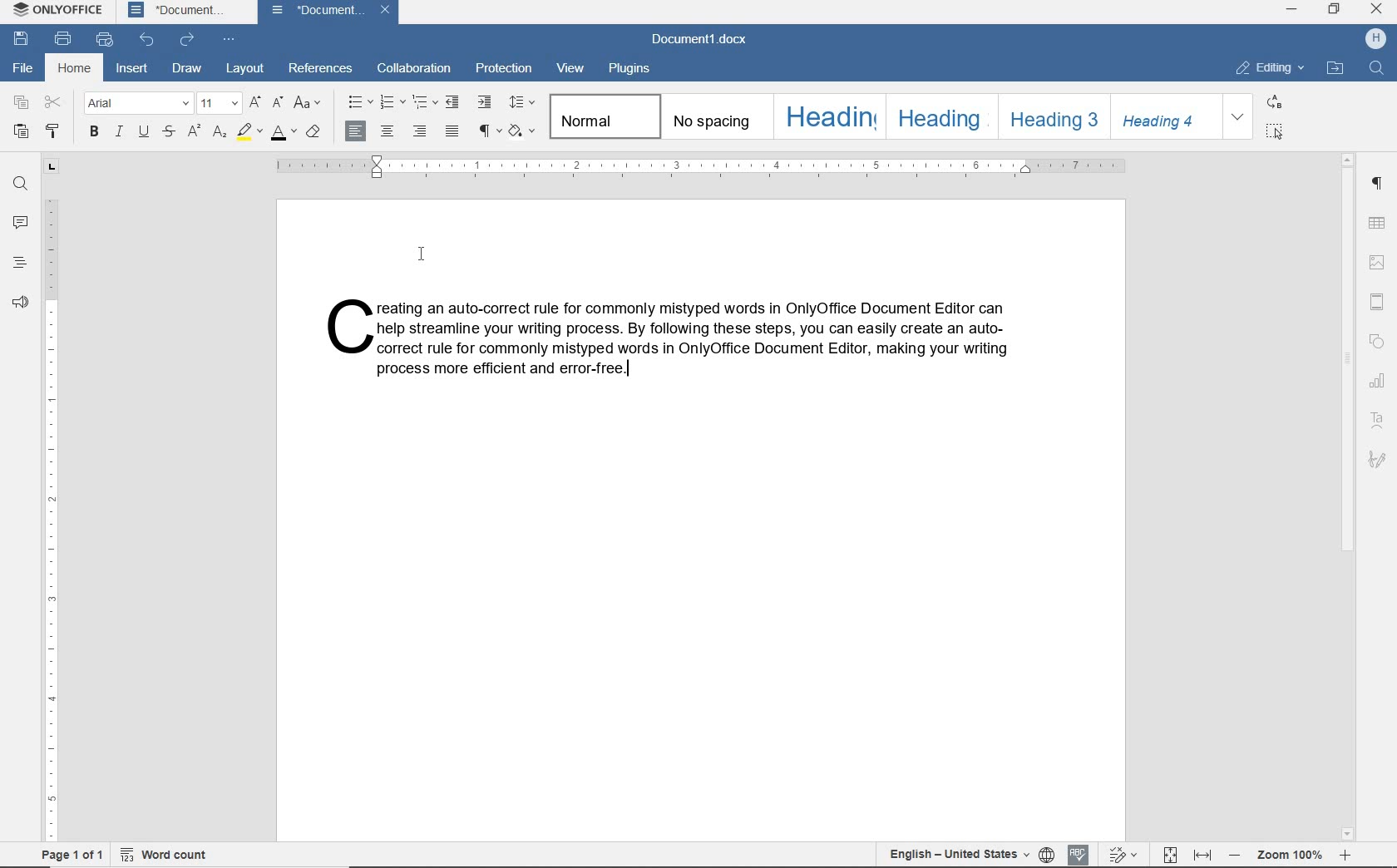  I want to click on OPEN FILE LOCTION, so click(1335, 69).